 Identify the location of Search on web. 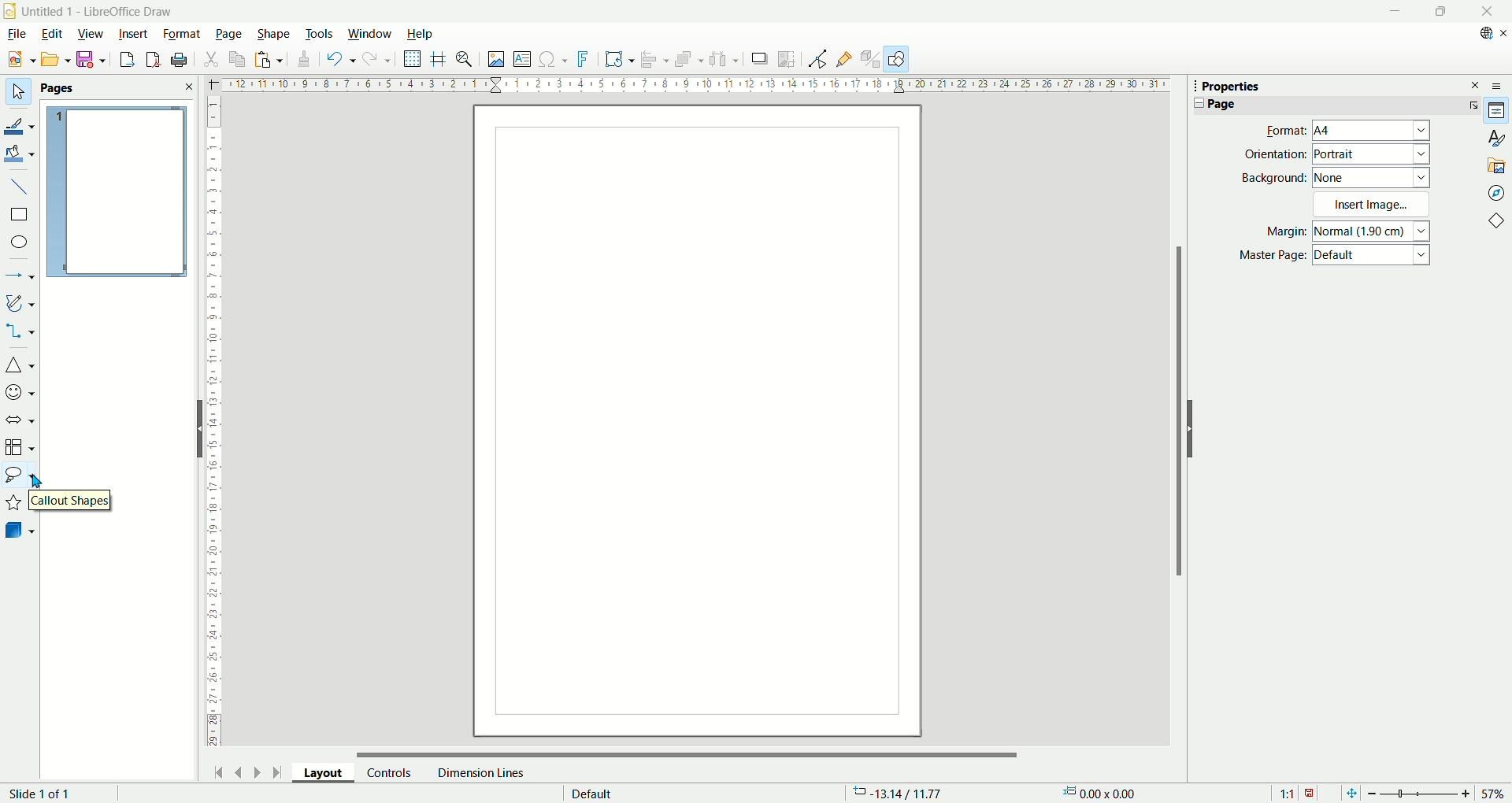
(1480, 33).